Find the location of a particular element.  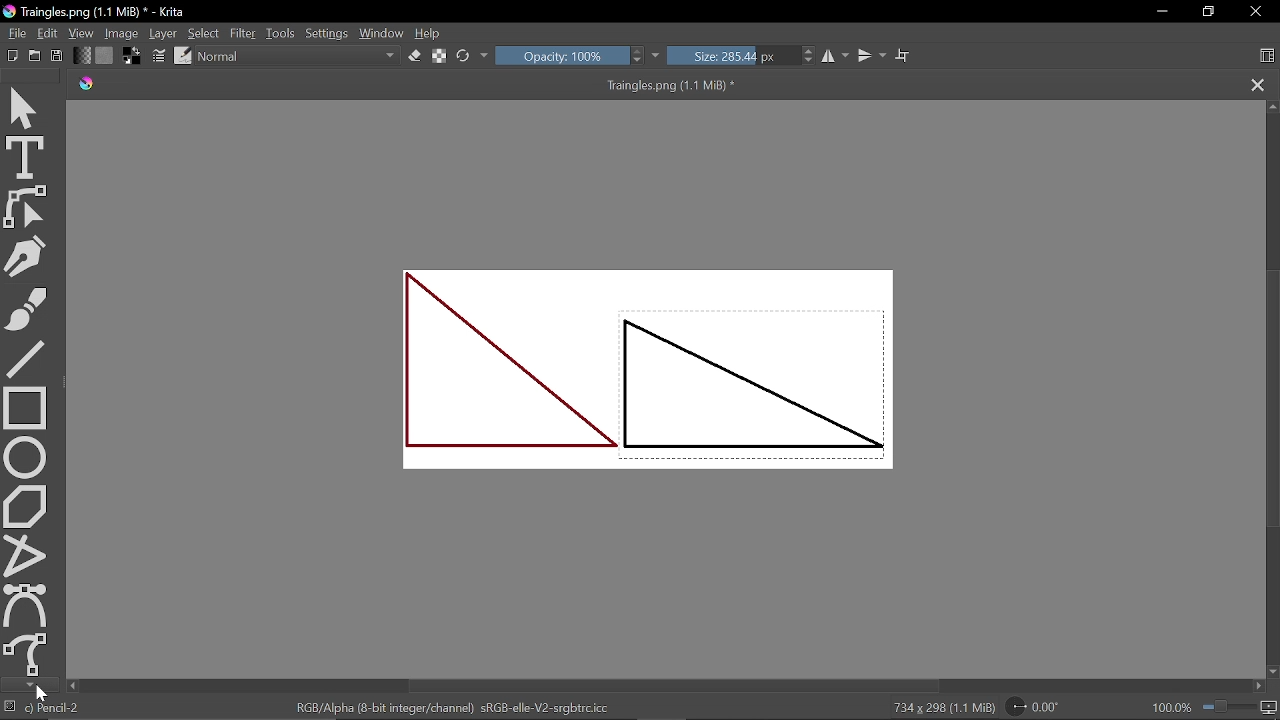

Polygon tool is located at coordinates (28, 506).